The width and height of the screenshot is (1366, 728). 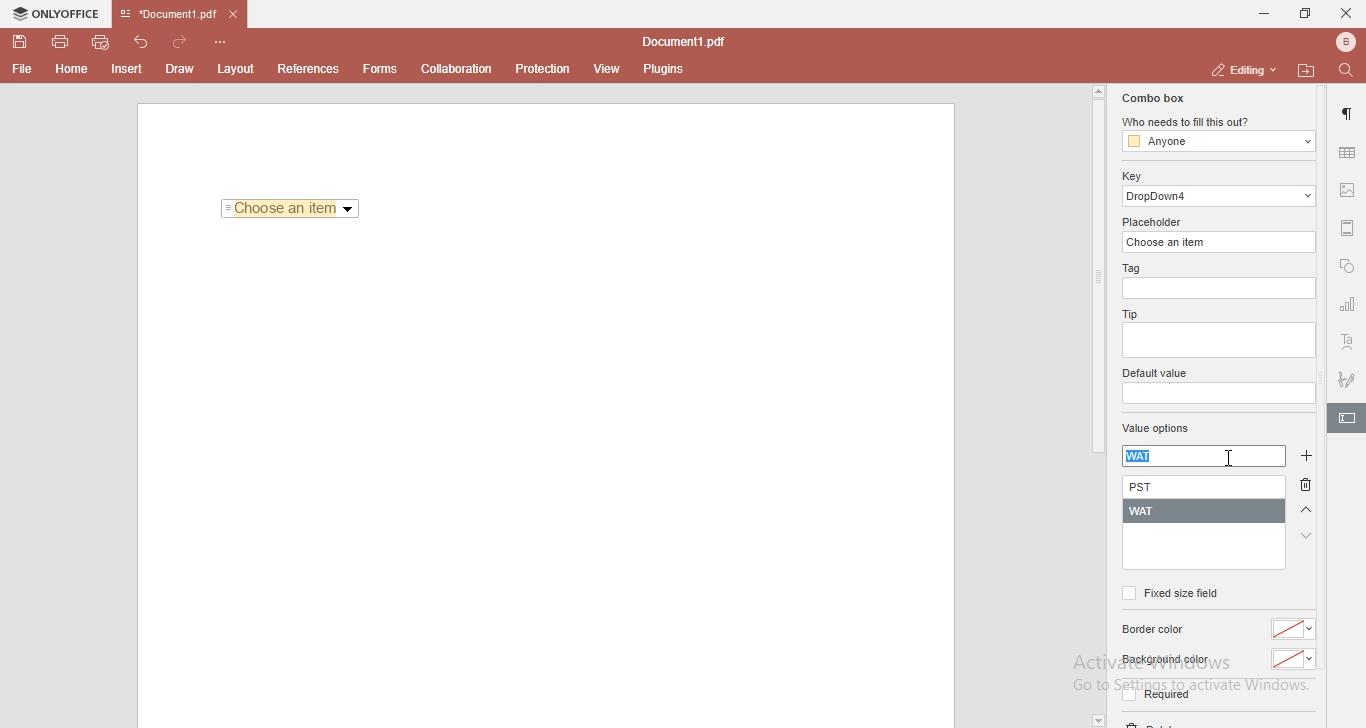 What do you see at coordinates (1129, 269) in the screenshot?
I see `tag` at bounding box center [1129, 269].